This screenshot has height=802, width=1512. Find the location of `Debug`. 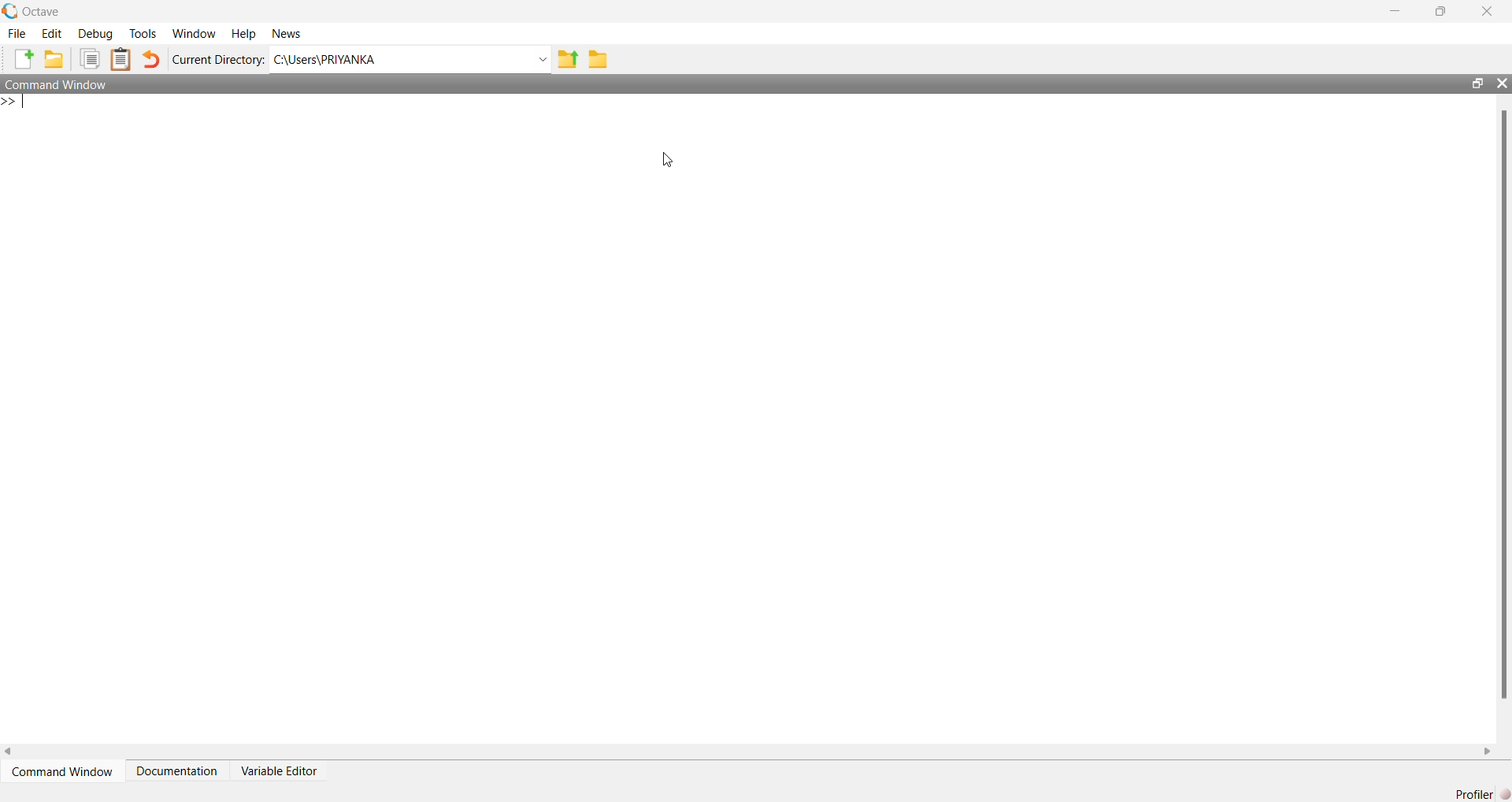

Debug is located at coordinates (95, 34).